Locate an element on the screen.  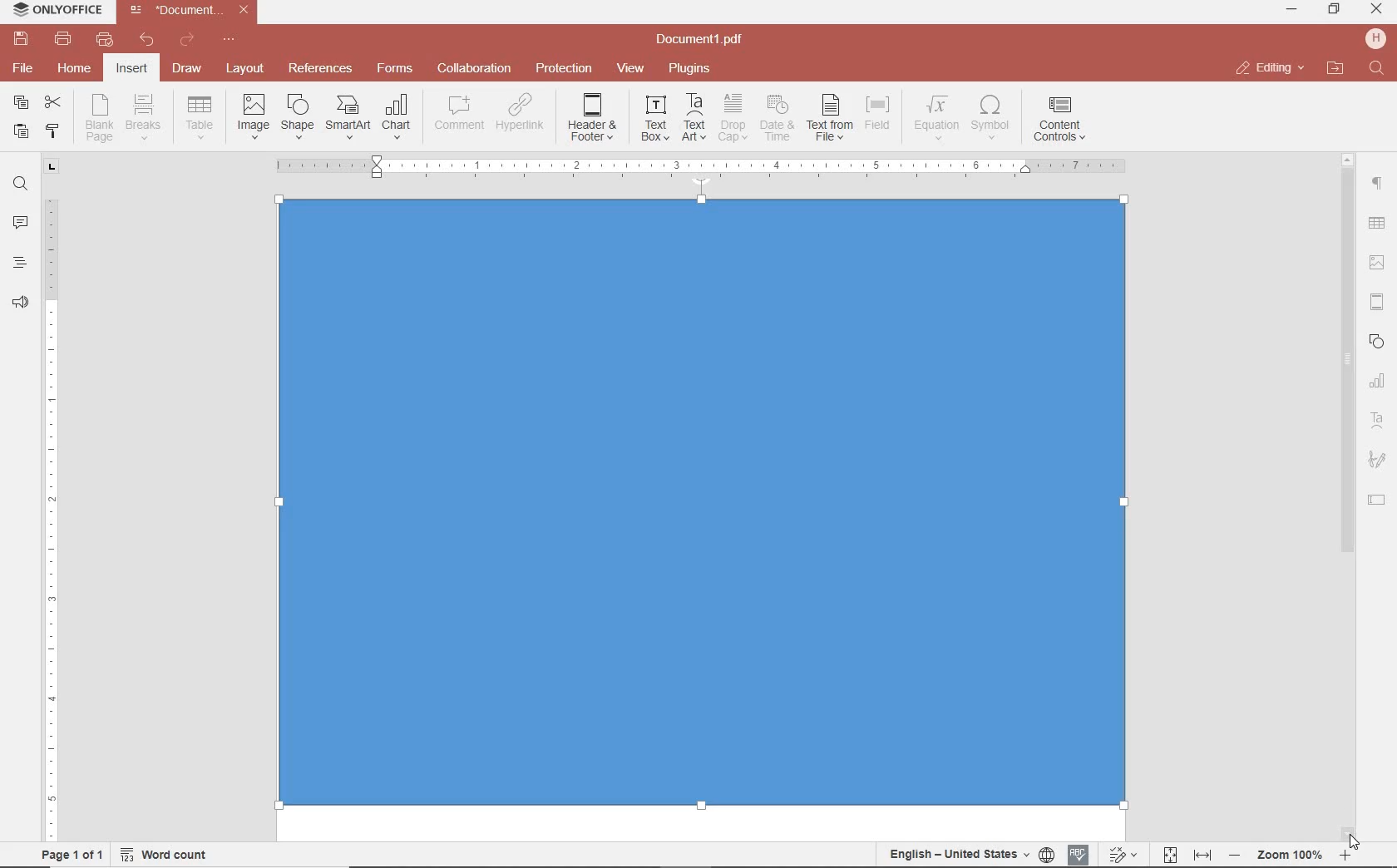
spell checking is located at coordinates (1079, 855).